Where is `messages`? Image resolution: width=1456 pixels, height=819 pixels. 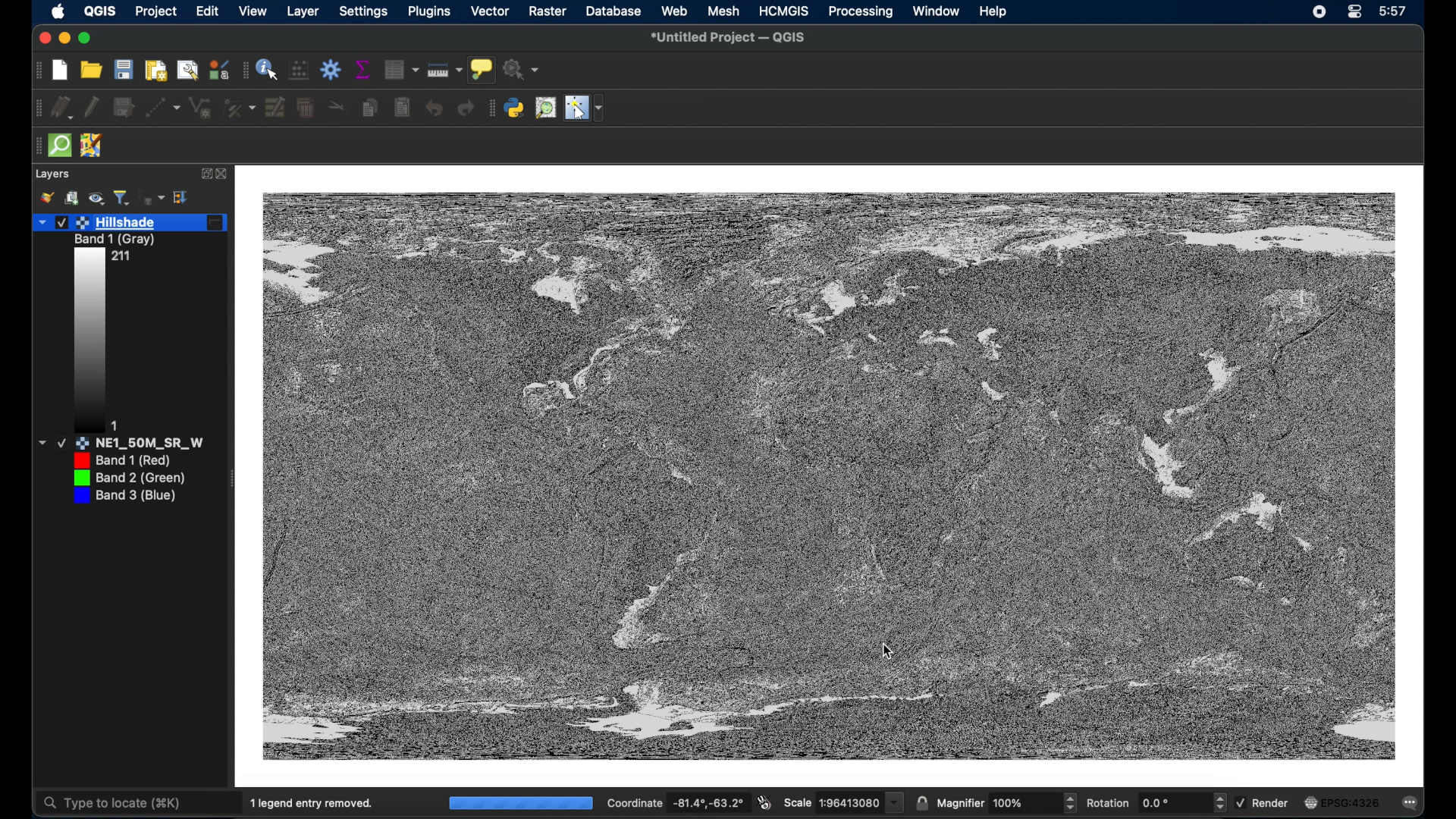 messages is located at coordinates (1412, 804).